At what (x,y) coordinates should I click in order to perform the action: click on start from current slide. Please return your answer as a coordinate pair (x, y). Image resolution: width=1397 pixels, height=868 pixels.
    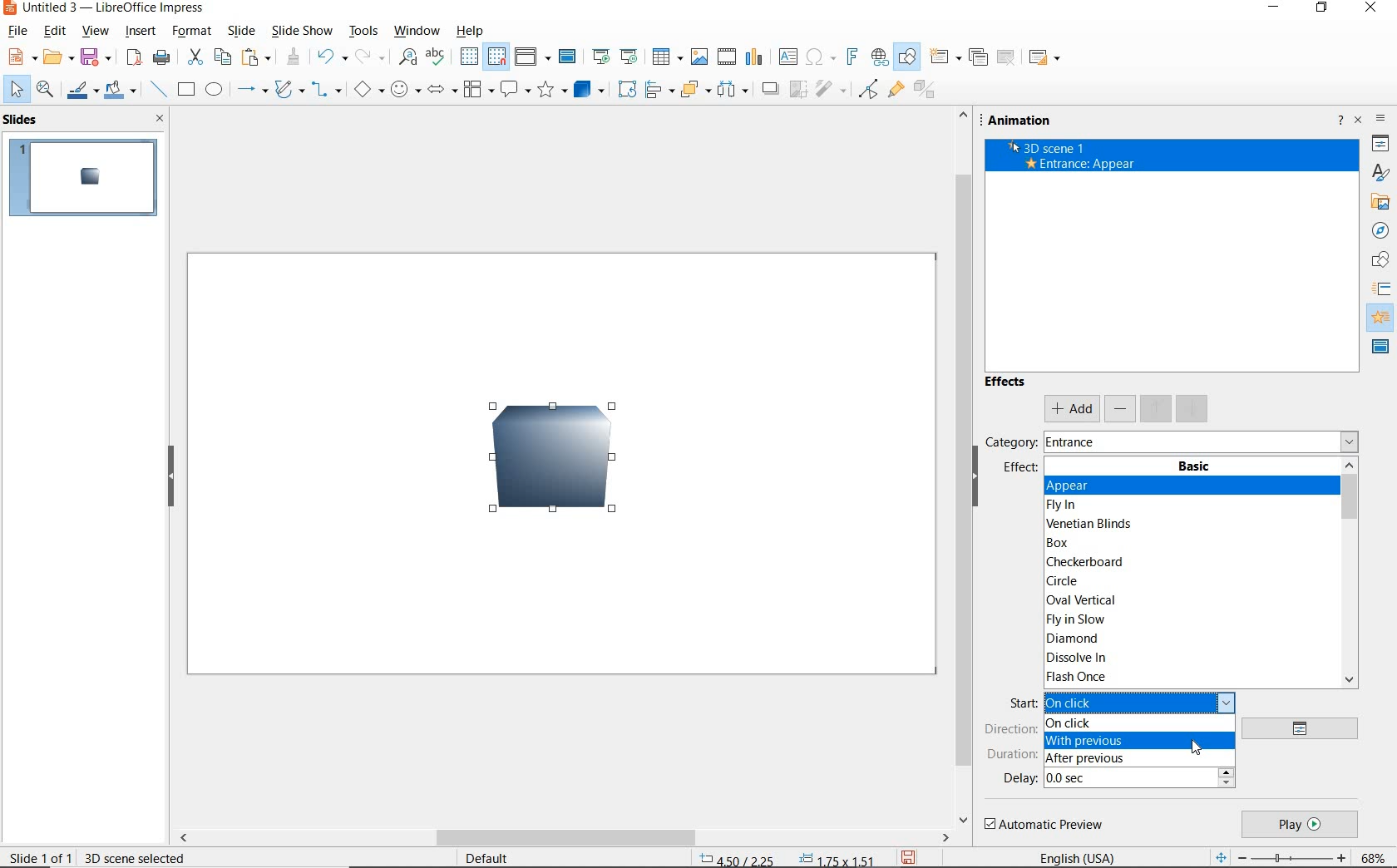
    Looking at the image, I should click on (629, 57).